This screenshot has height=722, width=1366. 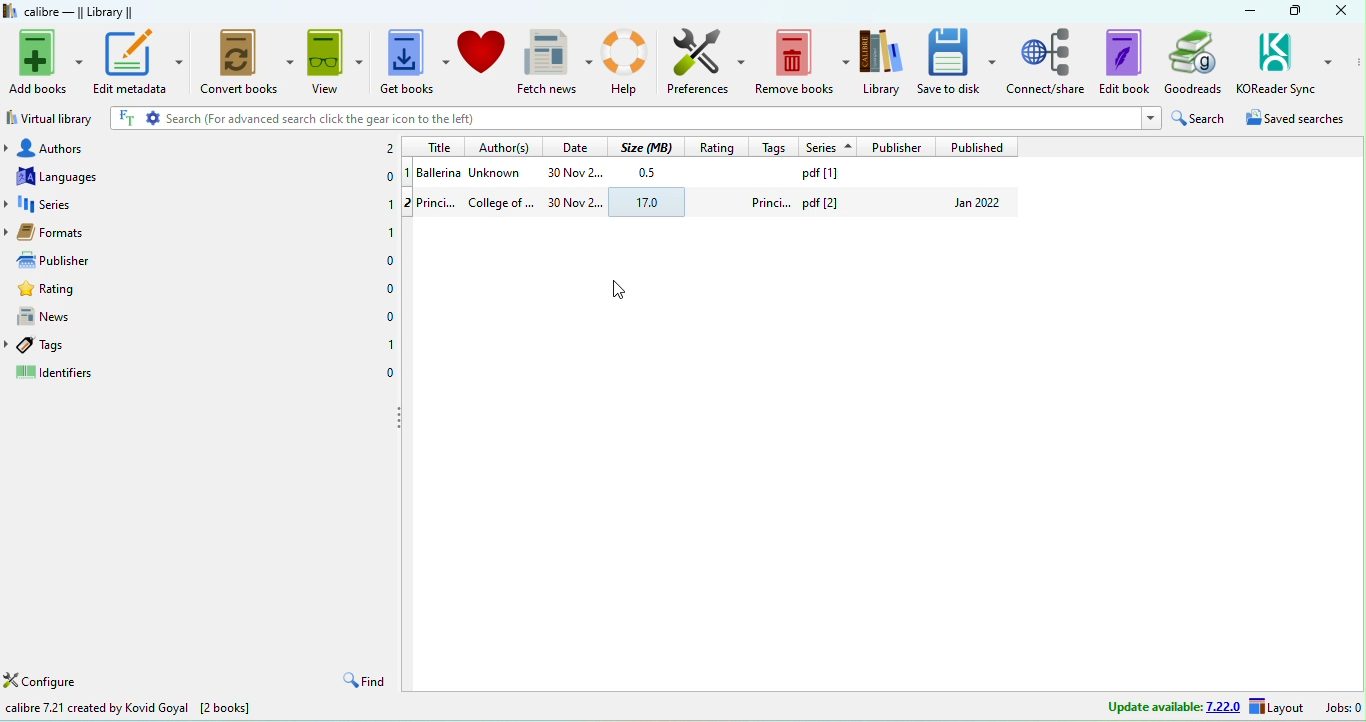 I want to click on publisher, so click(x=898, y=147).